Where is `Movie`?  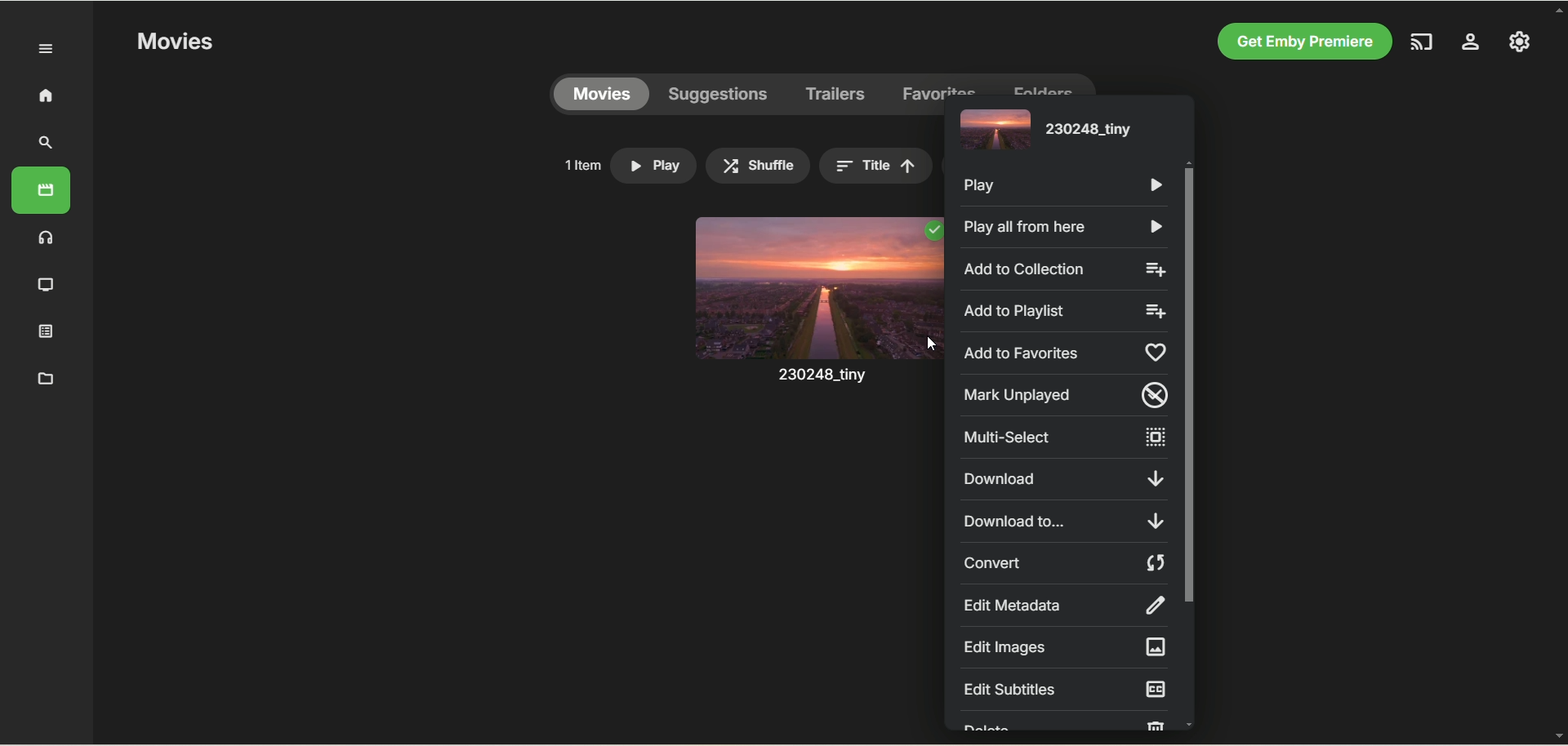 Movie is located at coordinates (816, 317).